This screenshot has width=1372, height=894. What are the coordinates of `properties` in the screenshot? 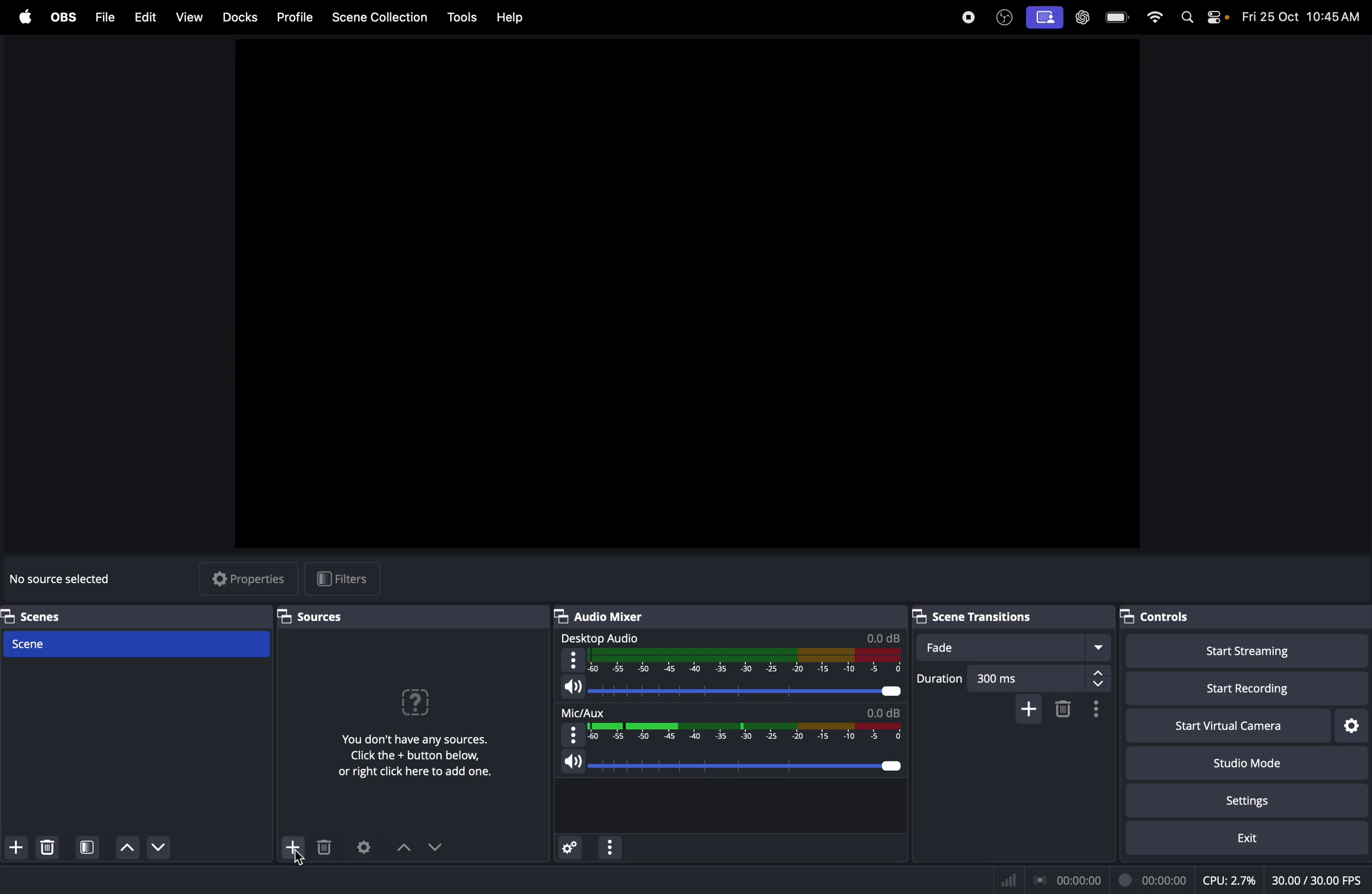 It's located at (241, 579).